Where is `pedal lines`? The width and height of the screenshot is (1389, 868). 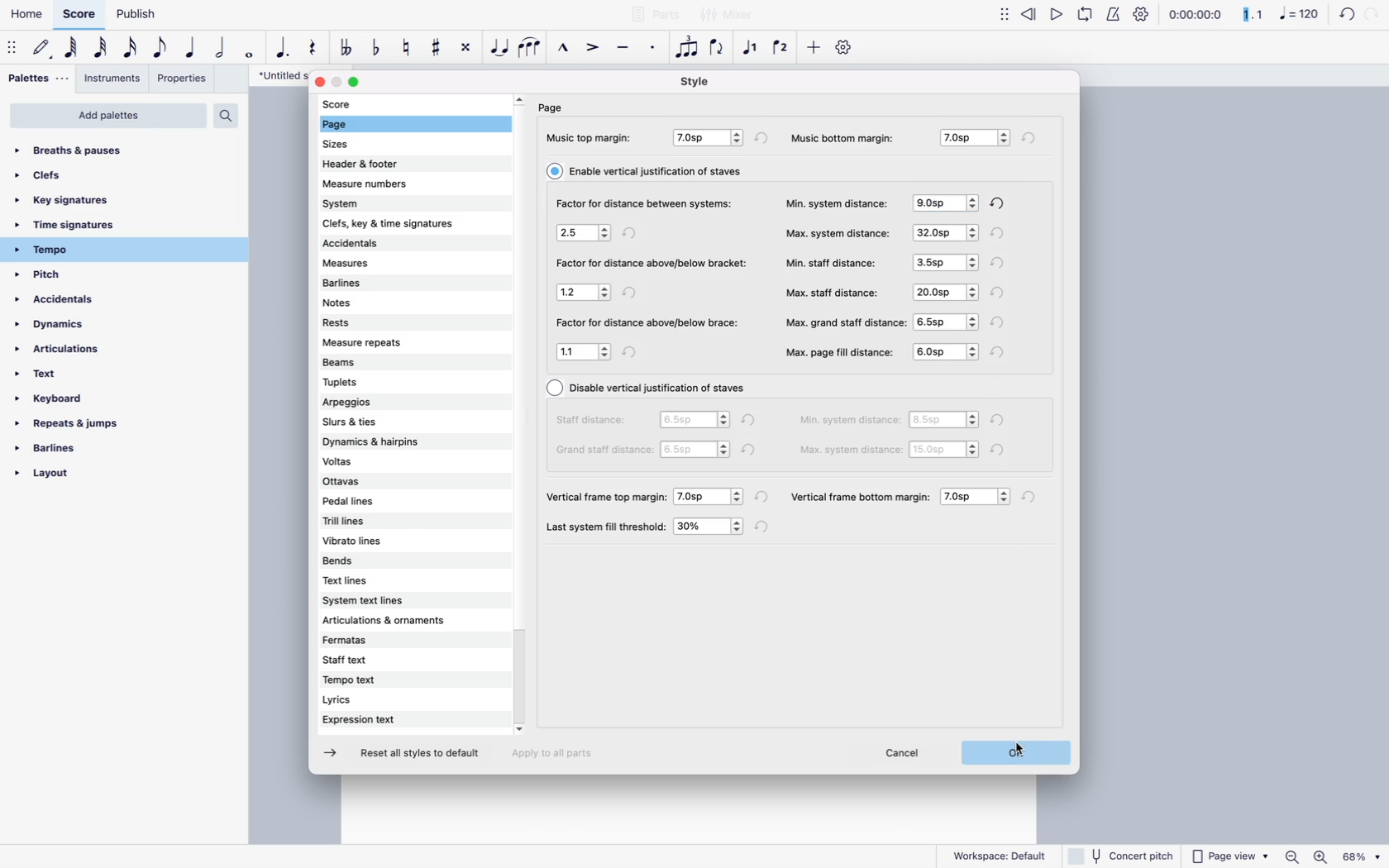 pedal lines is located at coordinates (368, 503).